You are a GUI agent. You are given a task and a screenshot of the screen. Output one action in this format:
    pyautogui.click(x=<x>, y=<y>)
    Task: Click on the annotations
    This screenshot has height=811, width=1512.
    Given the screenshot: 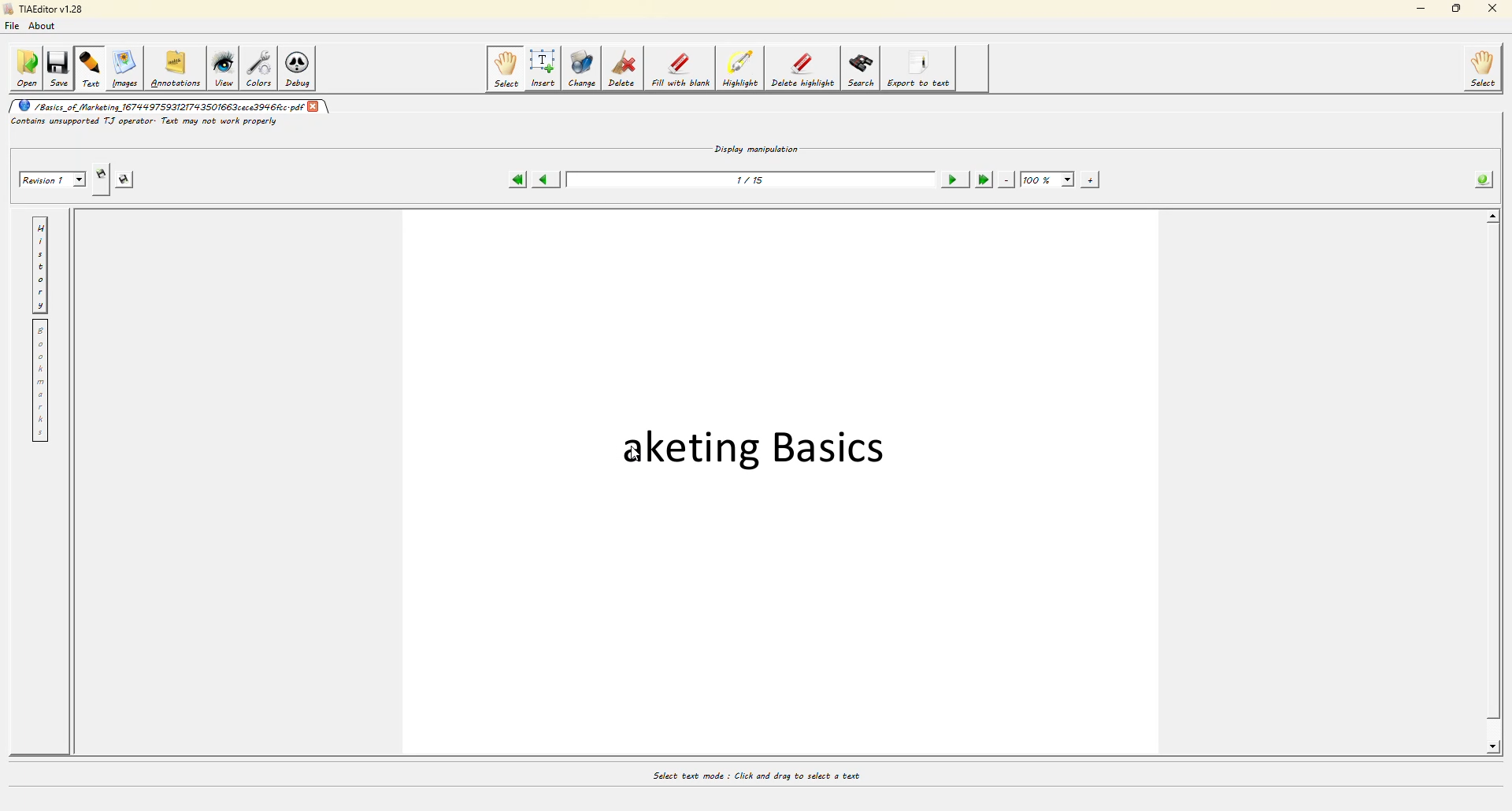 What is the action you would take?
    pyautogui.click(x=176, y=69)
    